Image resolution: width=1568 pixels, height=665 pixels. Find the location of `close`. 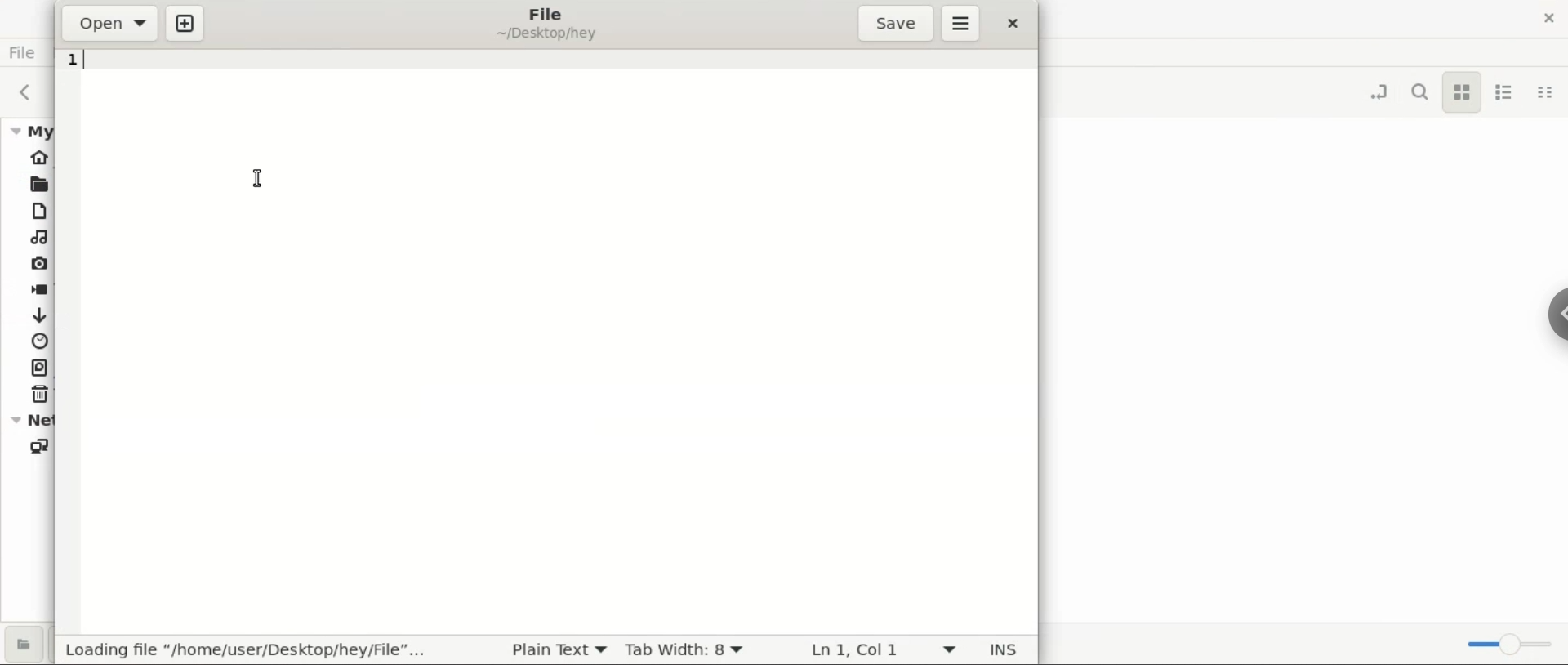

close is located at coordinates (1548, 15).